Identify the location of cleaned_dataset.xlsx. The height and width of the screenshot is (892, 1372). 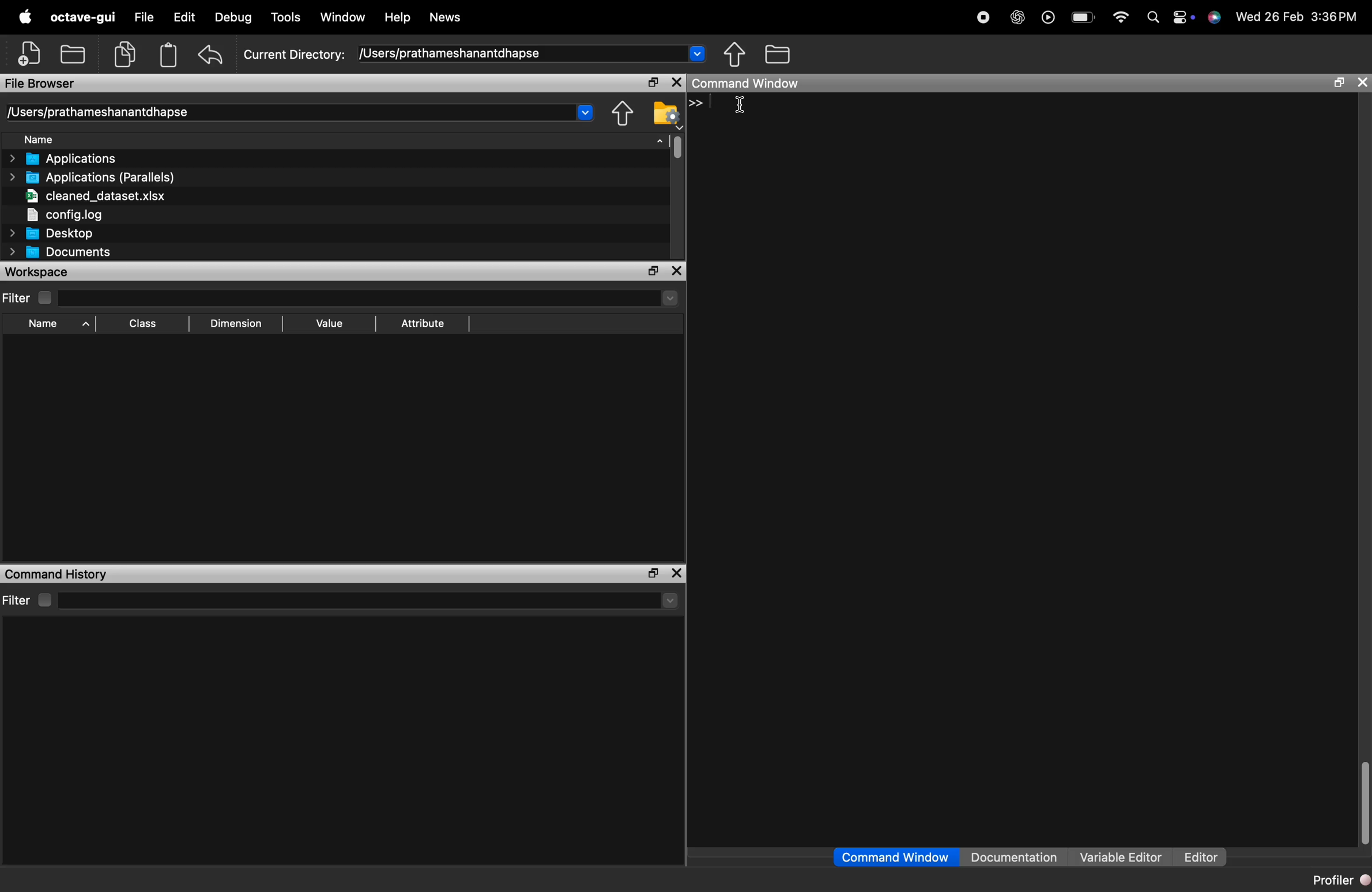
(95, 195).